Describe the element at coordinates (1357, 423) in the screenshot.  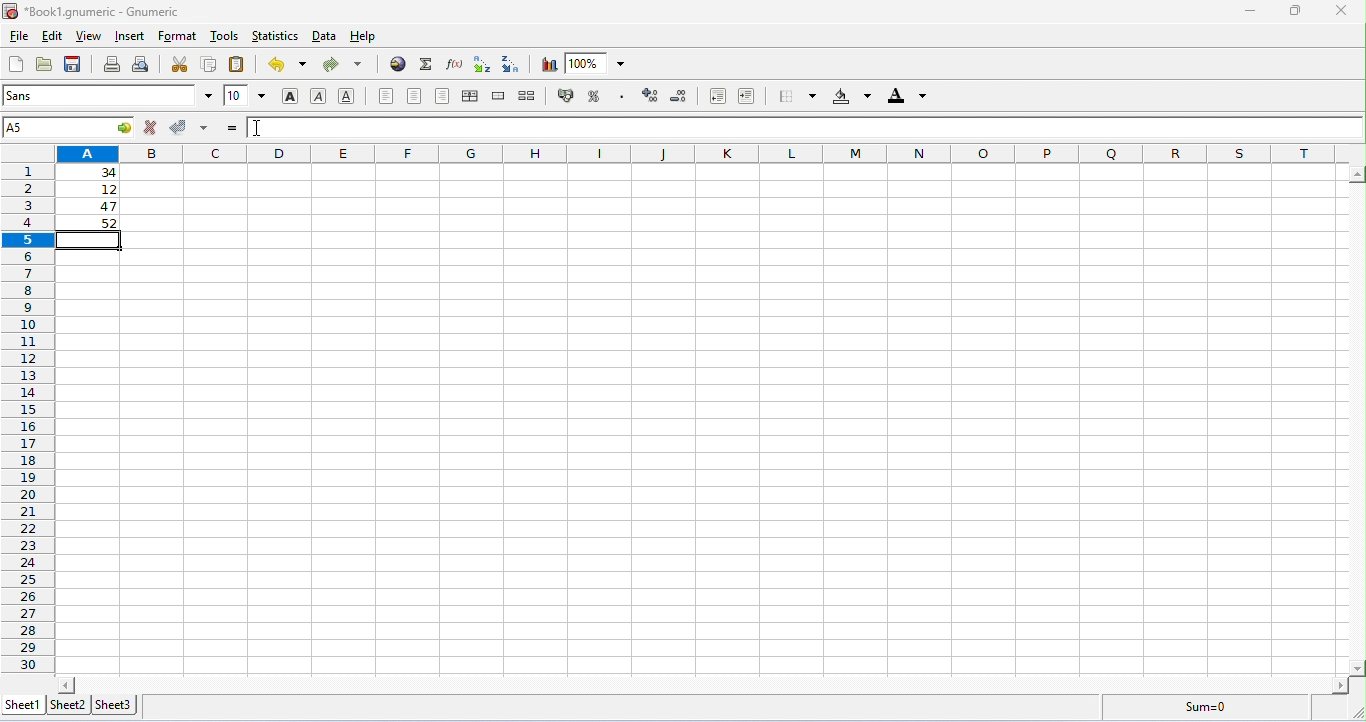
I see `space for vertical scroll bar` at that location.